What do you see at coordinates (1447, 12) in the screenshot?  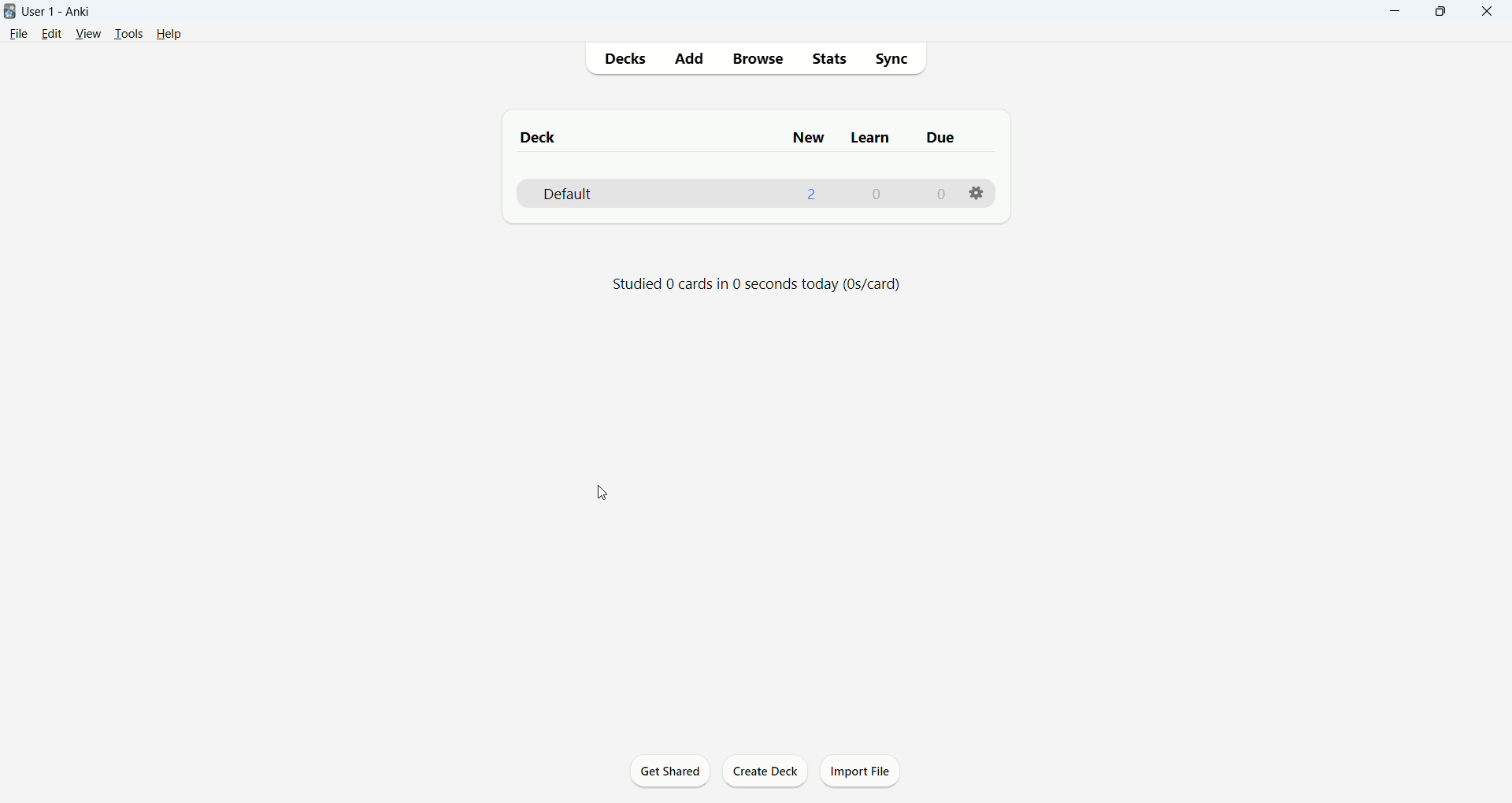 I see `maximize` at bounding box center [1447, 12].